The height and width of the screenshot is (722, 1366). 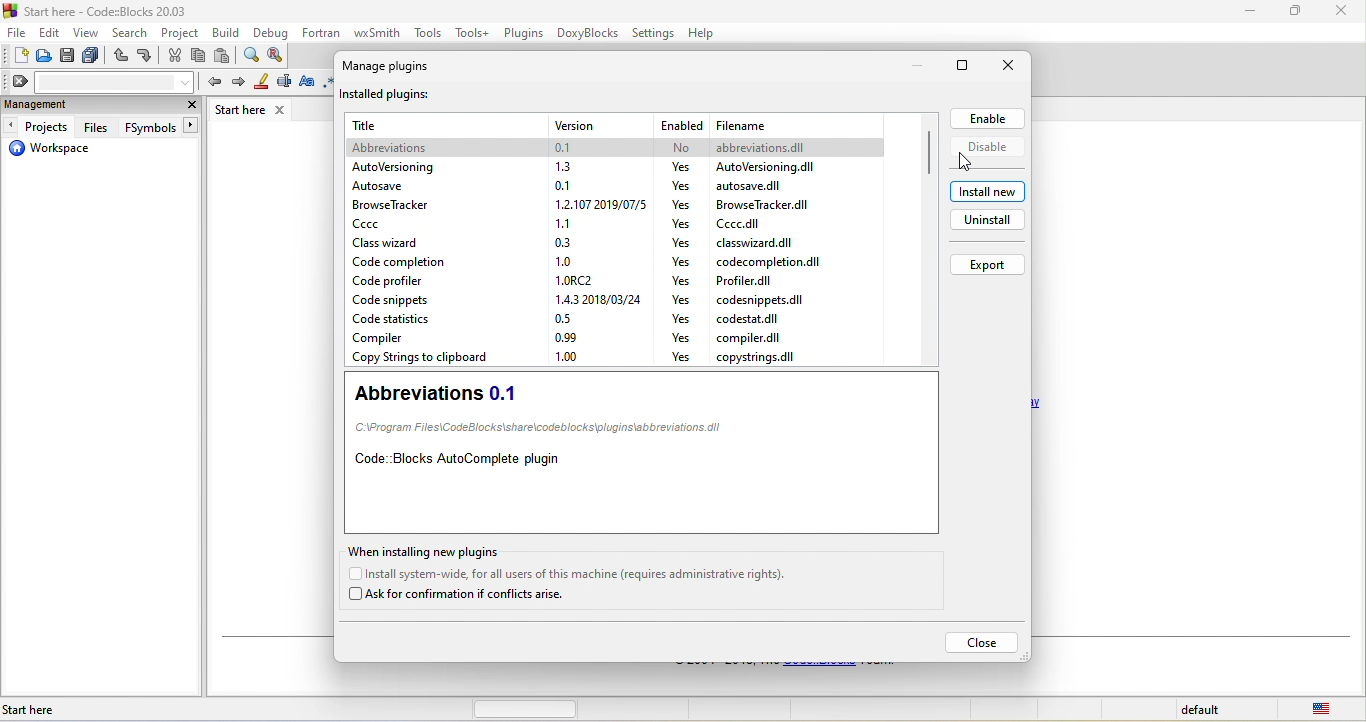 I want to click on undo, so click(x=122, y=56).